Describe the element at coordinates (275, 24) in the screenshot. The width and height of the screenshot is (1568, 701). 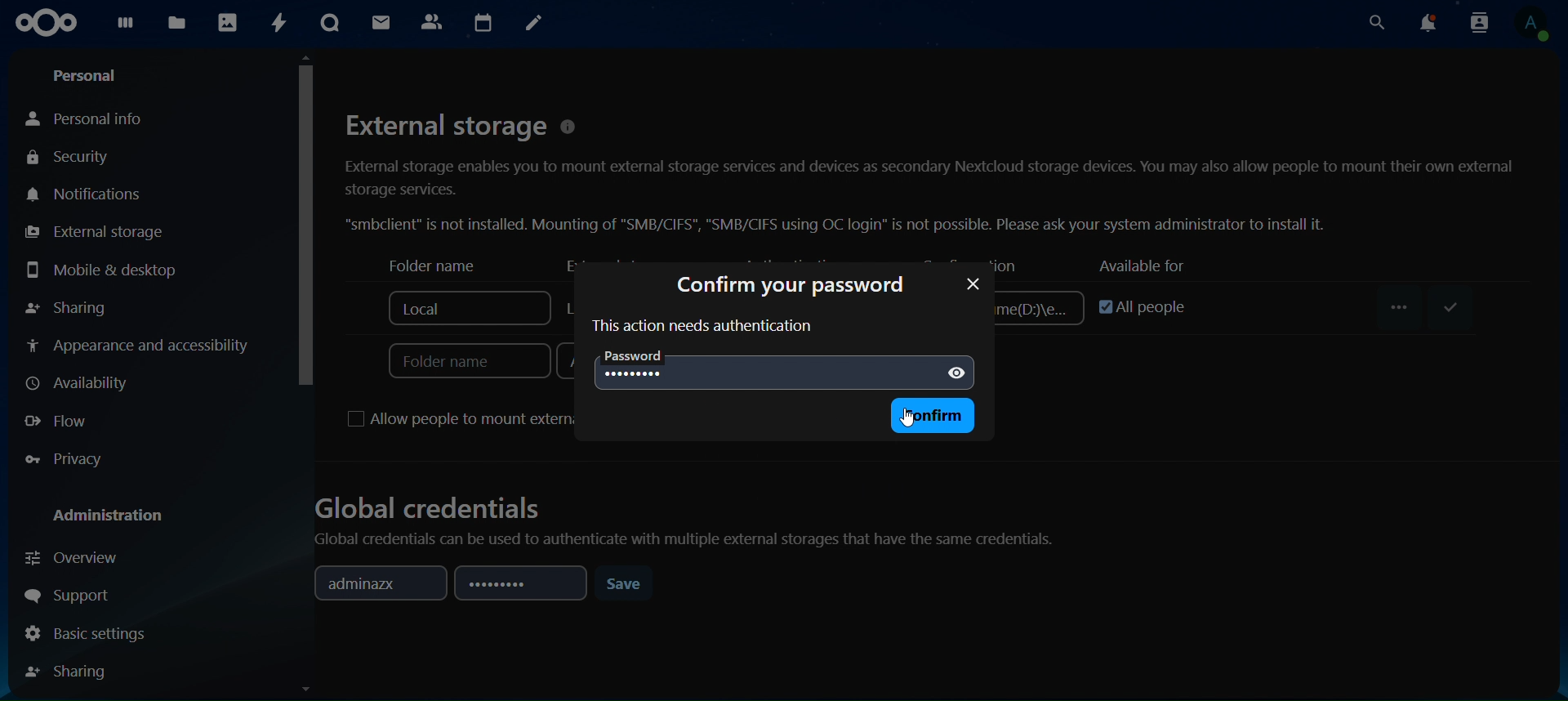
I see `activity` at that location.